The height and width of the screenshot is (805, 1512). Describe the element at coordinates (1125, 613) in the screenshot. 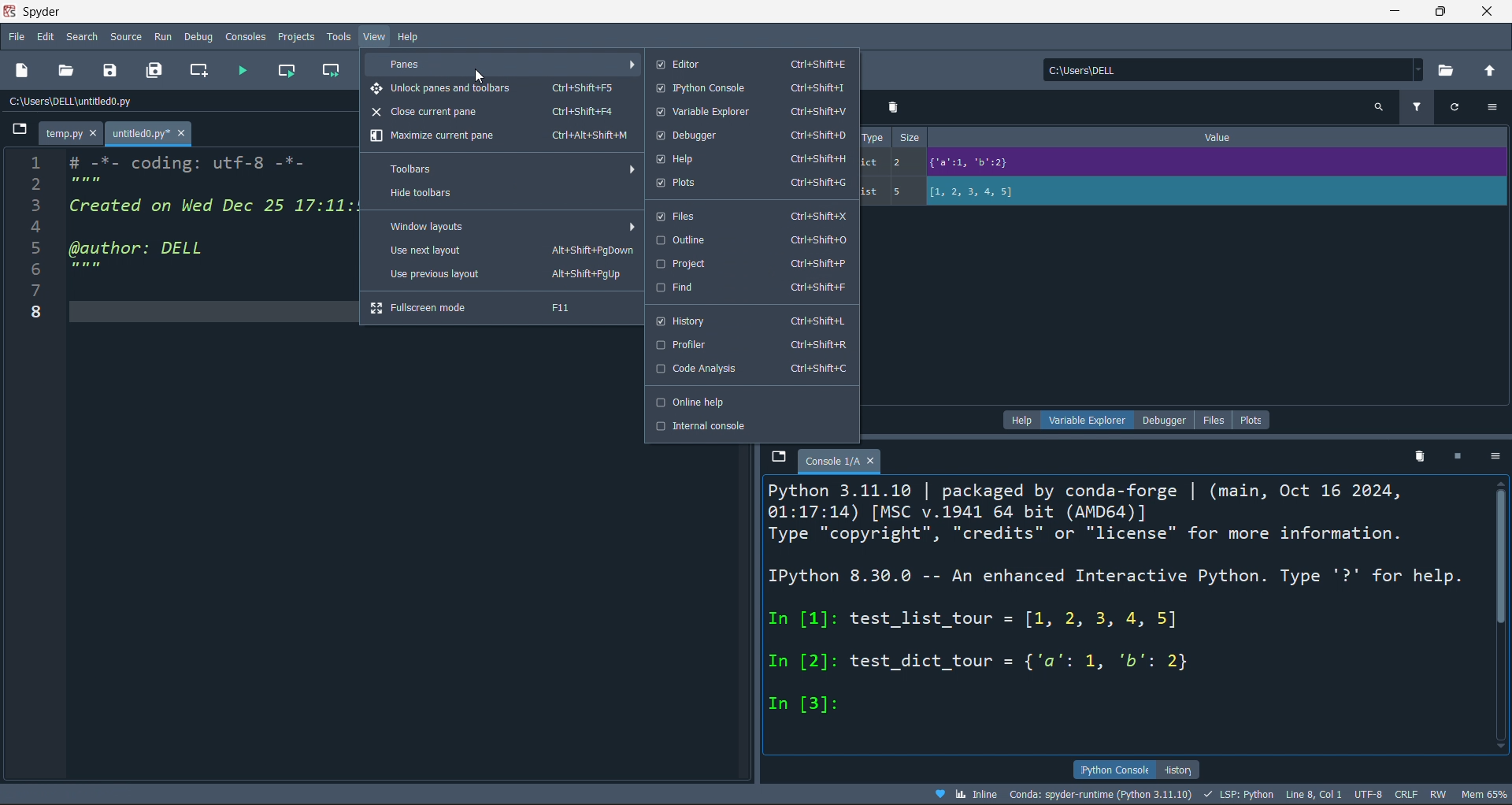

I see `ipython console pane` at that location.